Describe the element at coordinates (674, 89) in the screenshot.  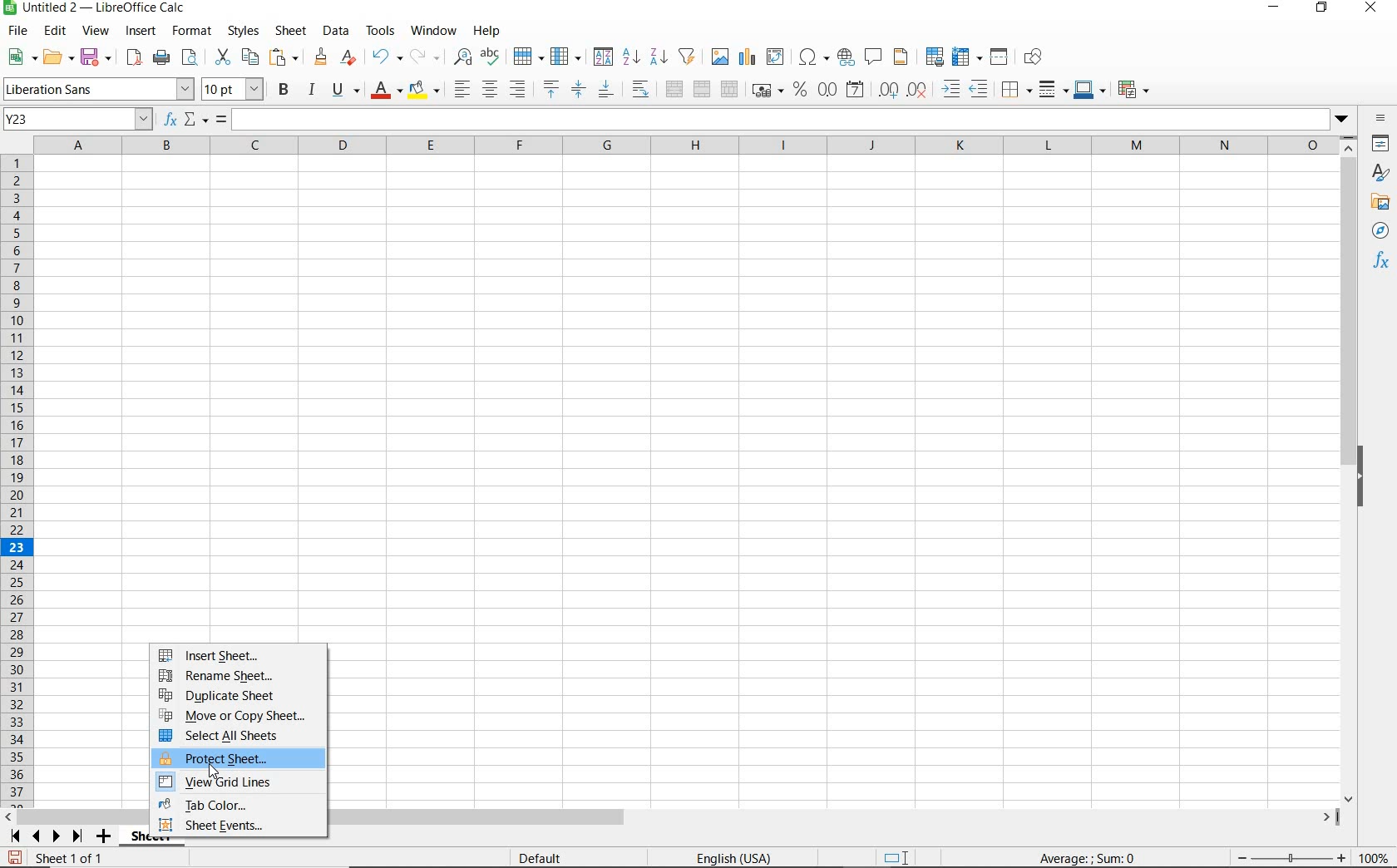
I see `MERGE AND CENTER OR UNMERGE CELLS` at that location.